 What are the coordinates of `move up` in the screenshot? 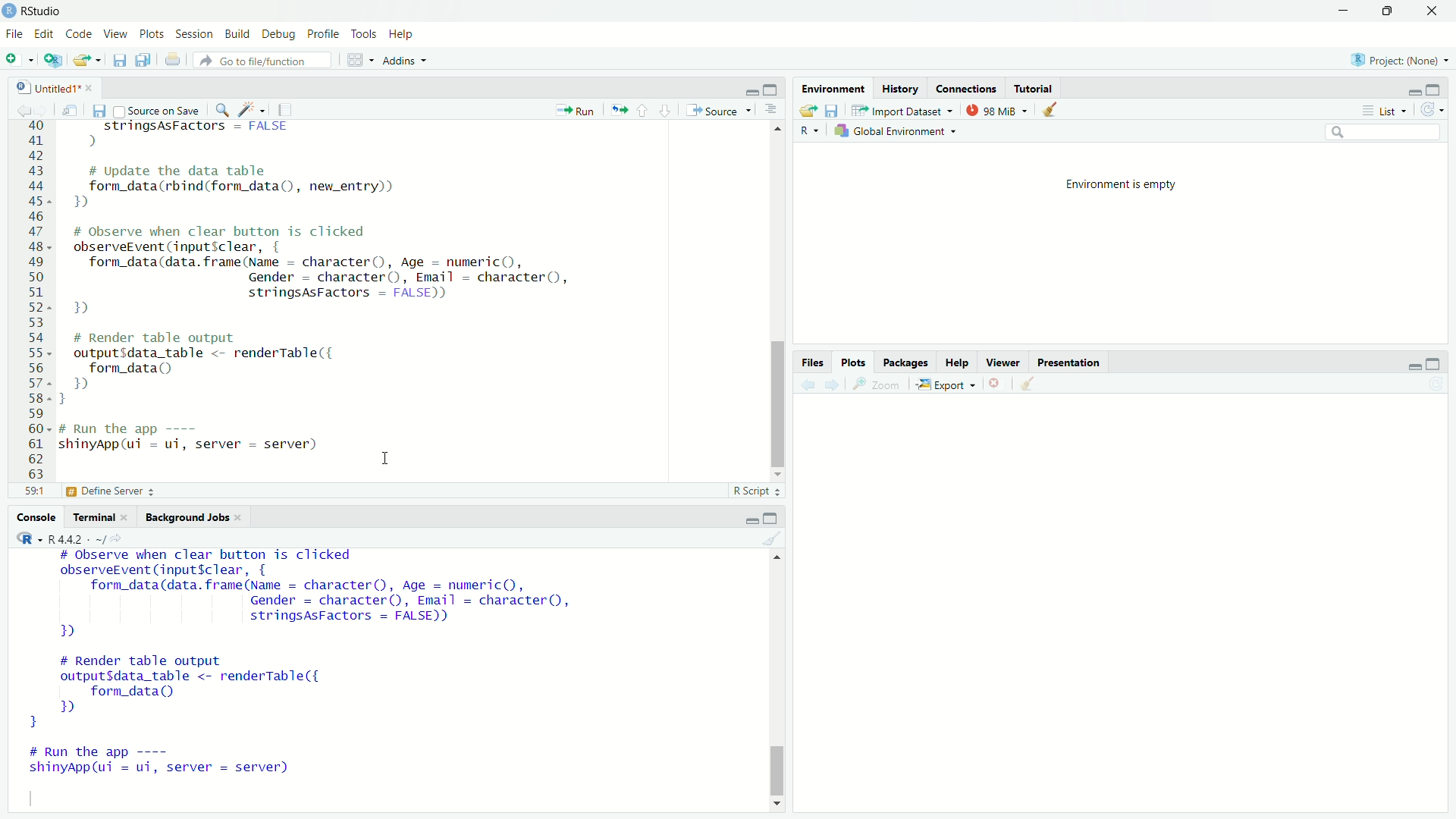 It's located at (775, 560).